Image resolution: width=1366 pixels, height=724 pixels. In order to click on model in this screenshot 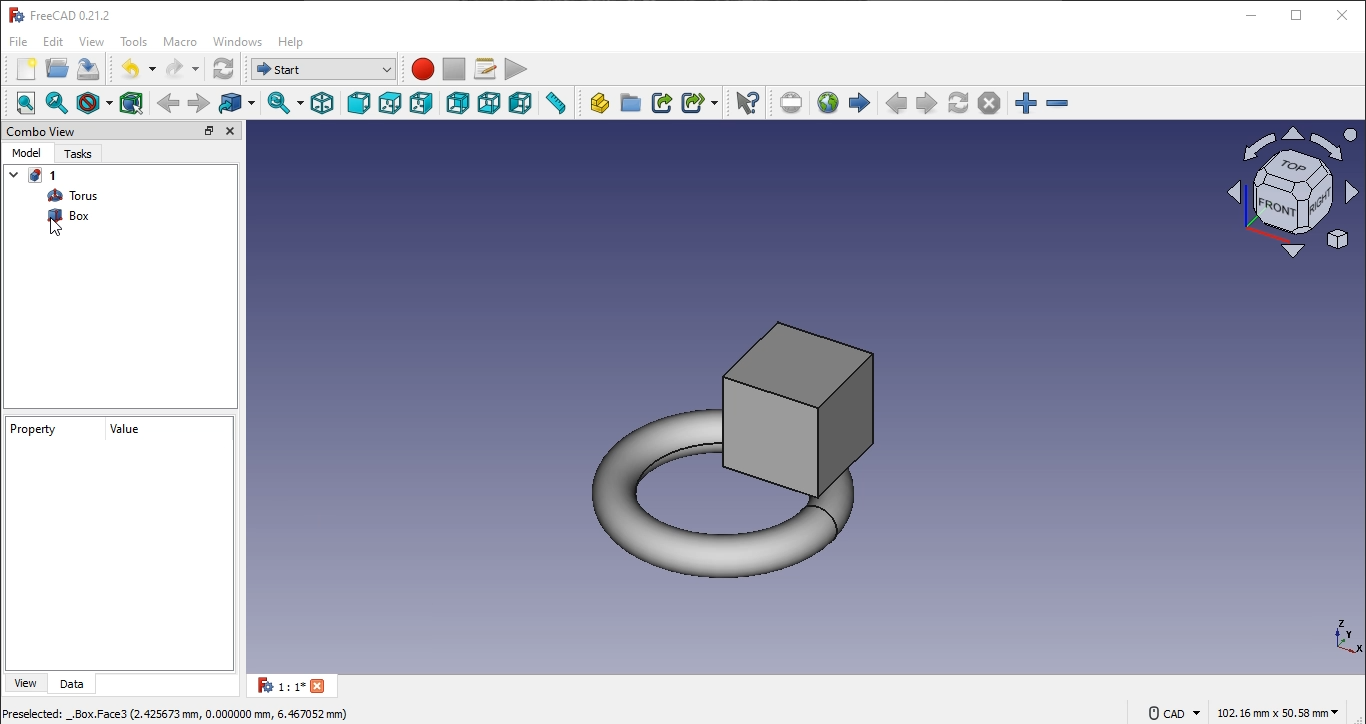, I will do `click(26, 154)`.